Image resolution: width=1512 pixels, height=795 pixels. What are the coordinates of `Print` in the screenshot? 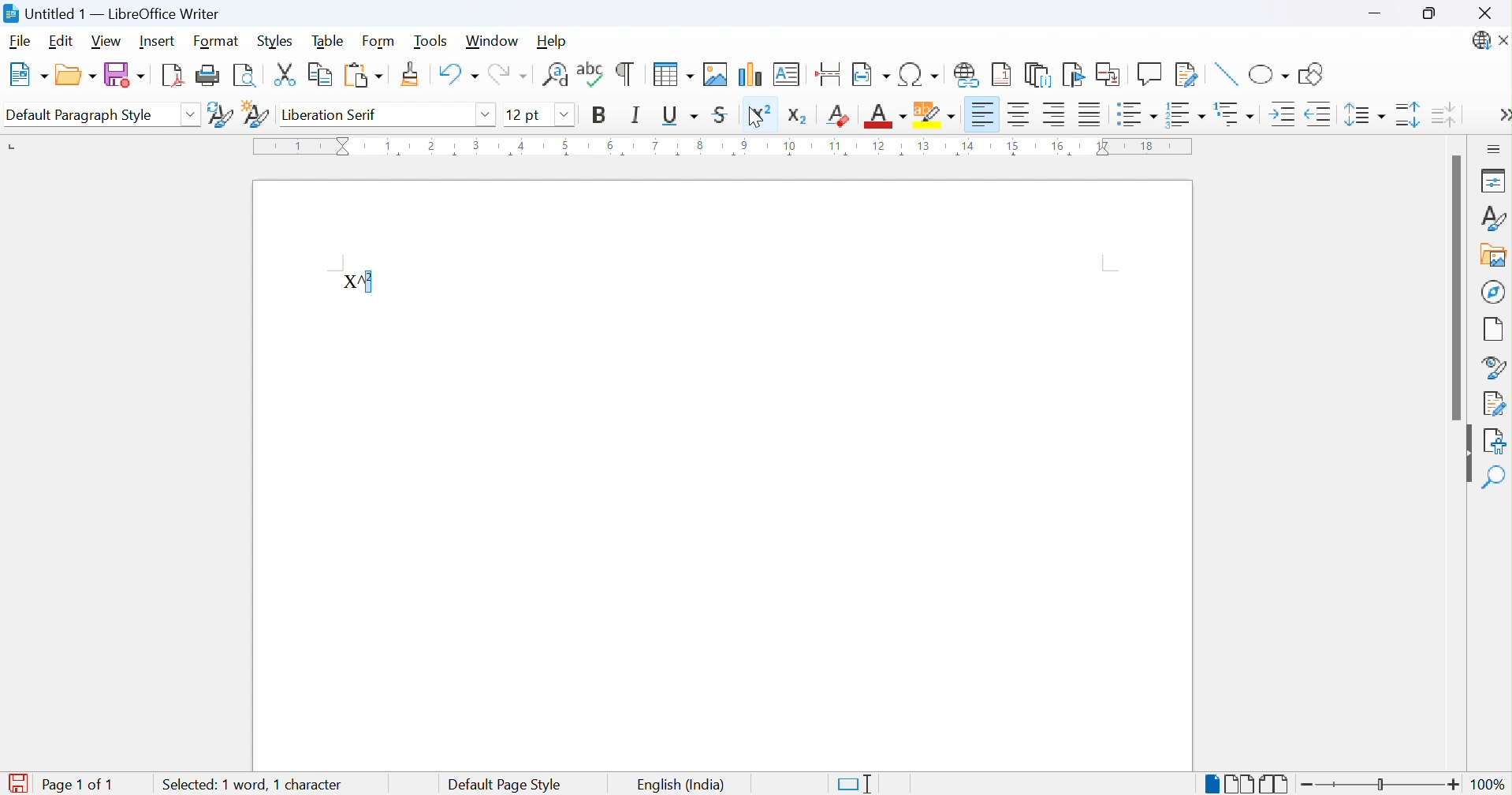 It's located at (209, 75).